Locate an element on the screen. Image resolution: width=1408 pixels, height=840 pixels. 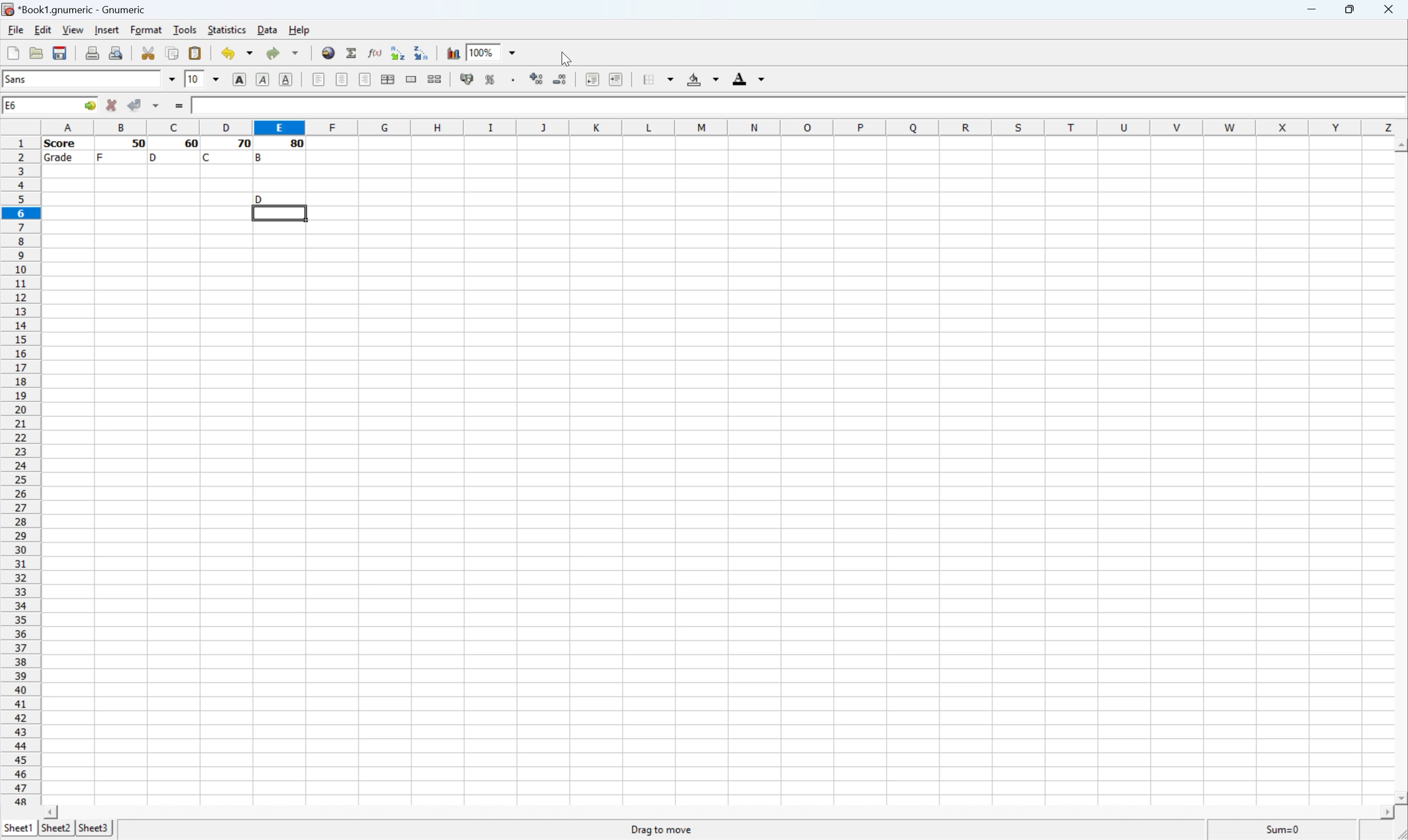
Underline is located at coordinates (284, 80).